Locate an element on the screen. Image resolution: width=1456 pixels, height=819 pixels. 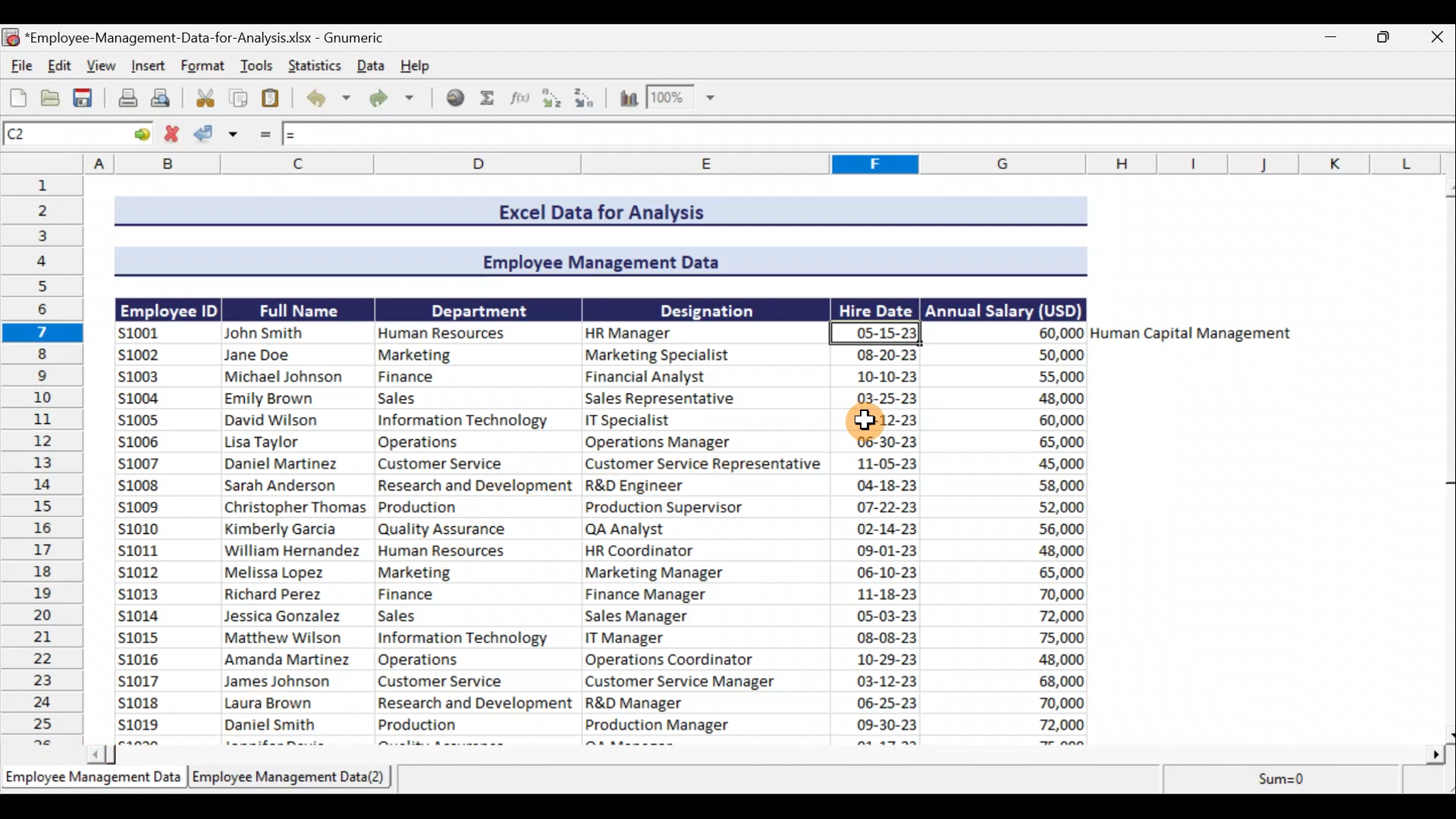
Cursor is located at coordinates (867, 419).